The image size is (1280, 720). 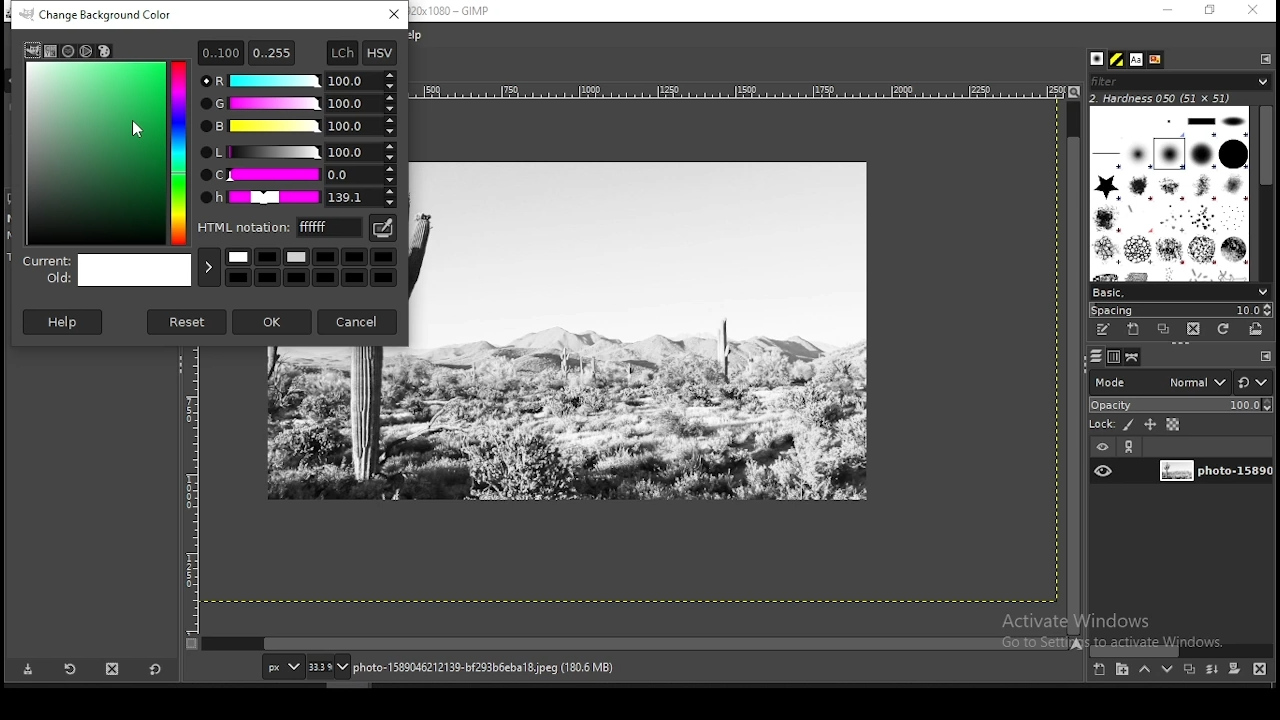 What do you see at coordinates (1180, 310) in the screenshot?
I see `spacing` at bounding box center [1180, 310].